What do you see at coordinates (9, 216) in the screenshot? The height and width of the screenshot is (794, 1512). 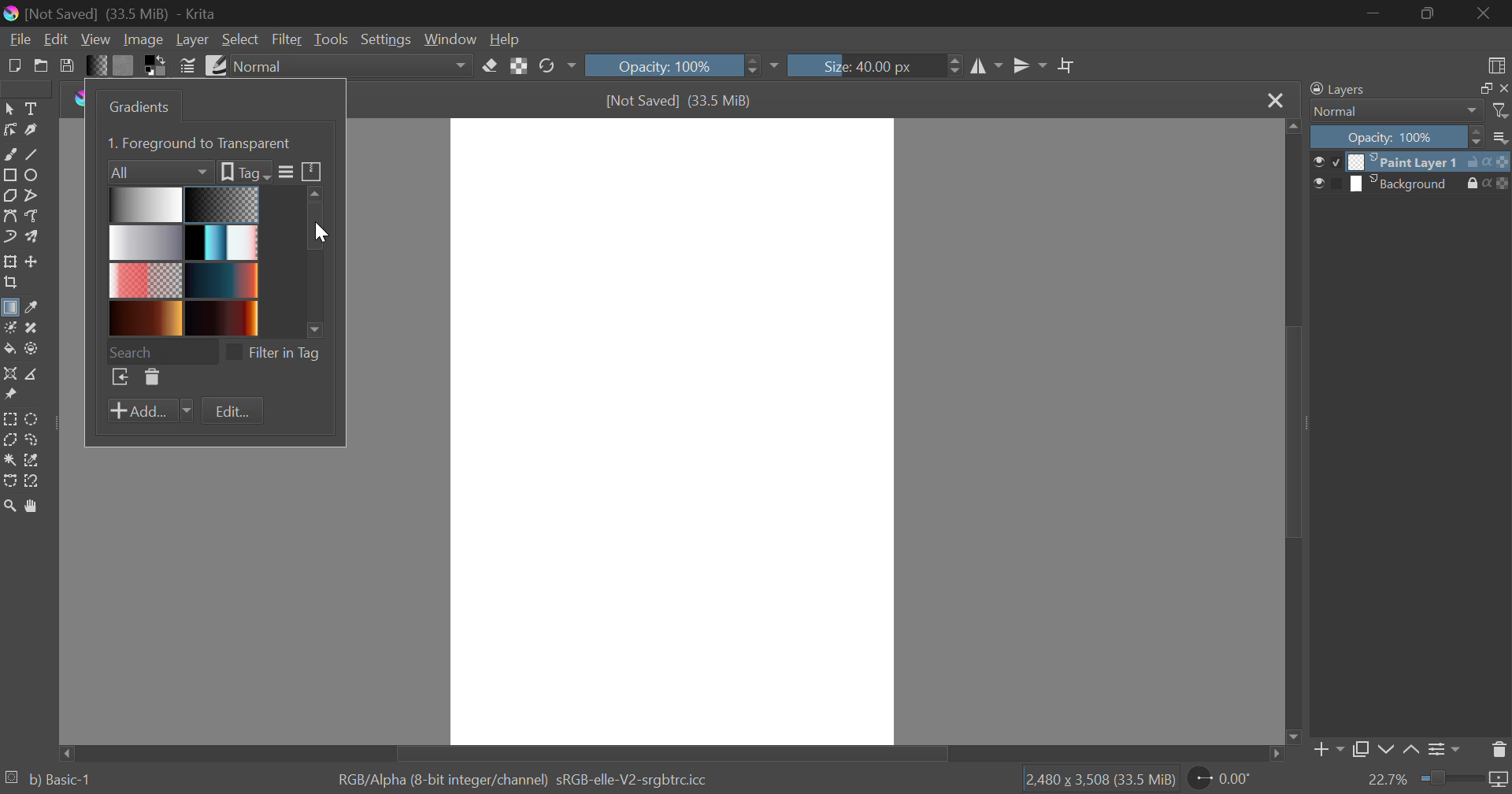 I see `Bezier Curve` at bounding box center [9, 216].